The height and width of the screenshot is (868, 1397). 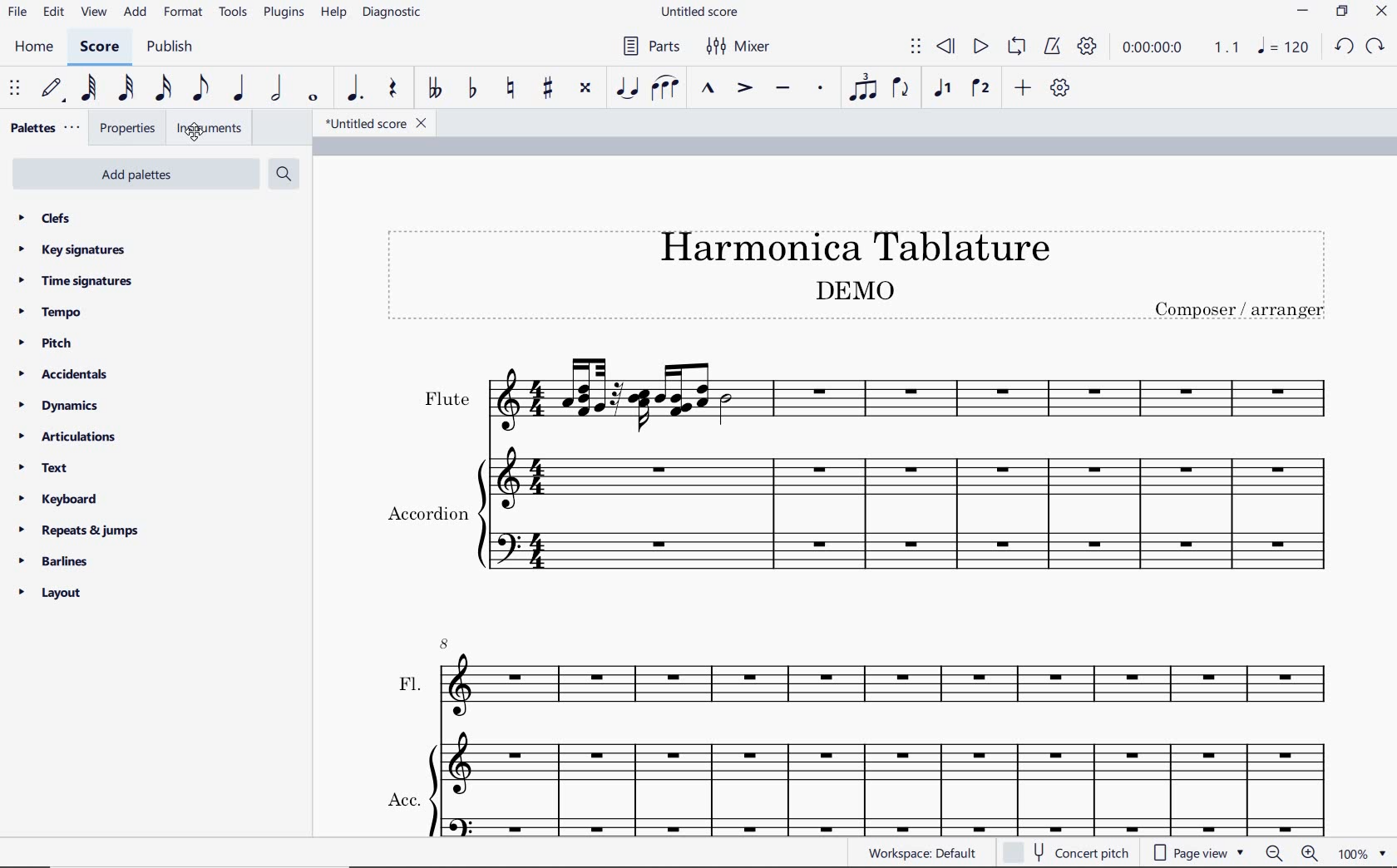 I want to click on select to move, so click(x=15, y=89).